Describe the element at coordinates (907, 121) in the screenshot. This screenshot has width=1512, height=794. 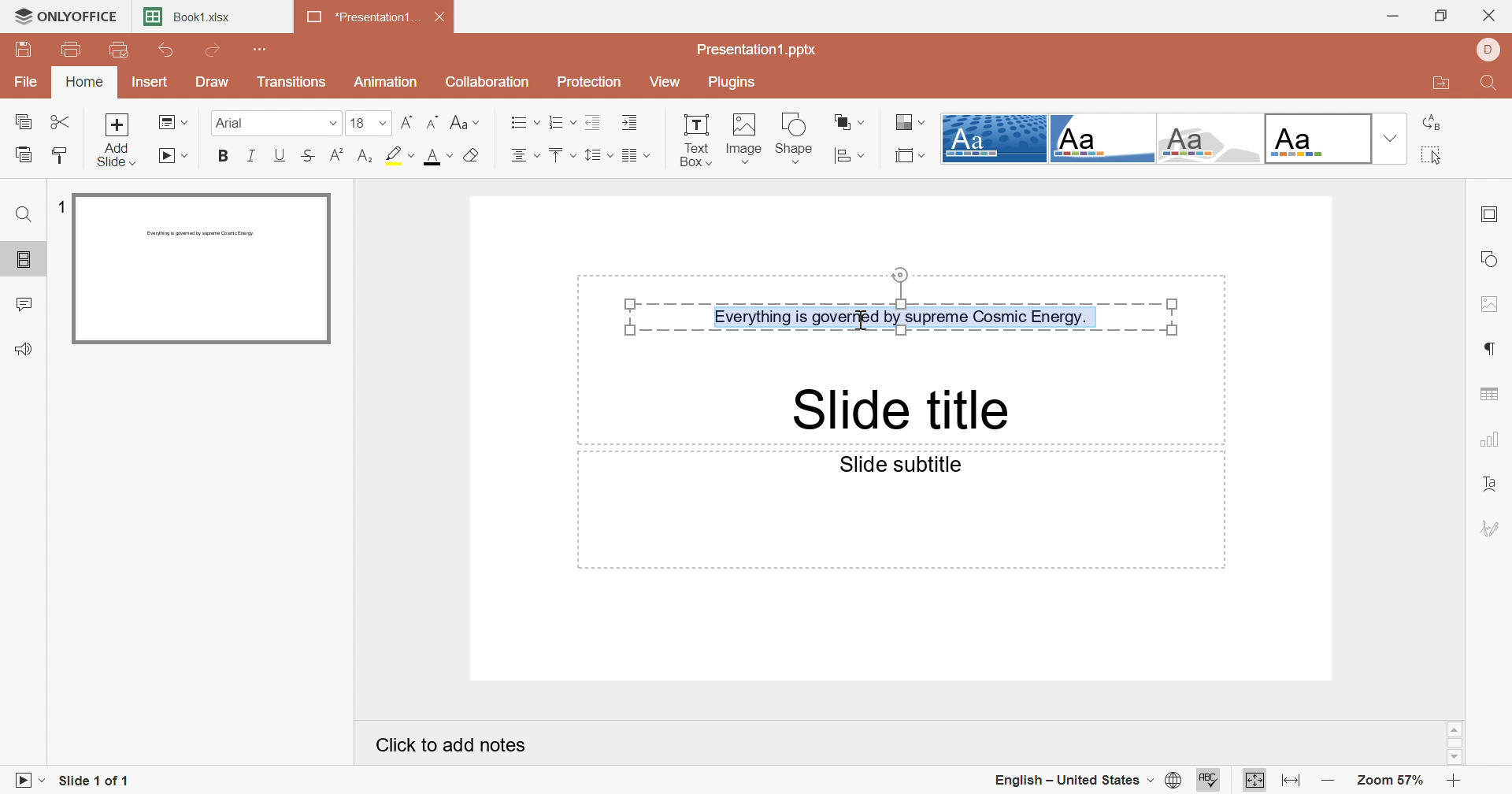
I see `Change color theme` at that location.